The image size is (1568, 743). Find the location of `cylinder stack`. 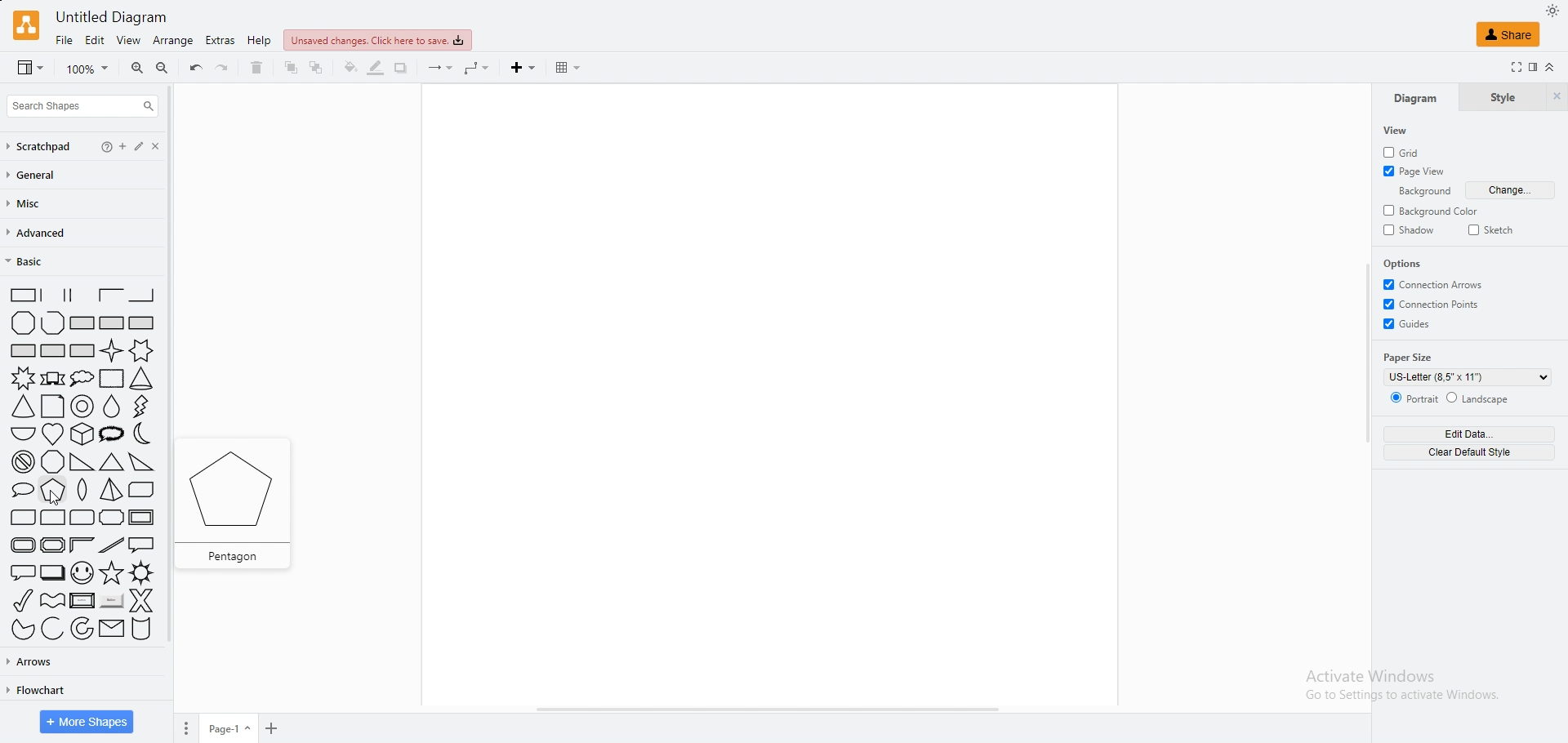

cylinder stack is located at coordinates (142, 630).